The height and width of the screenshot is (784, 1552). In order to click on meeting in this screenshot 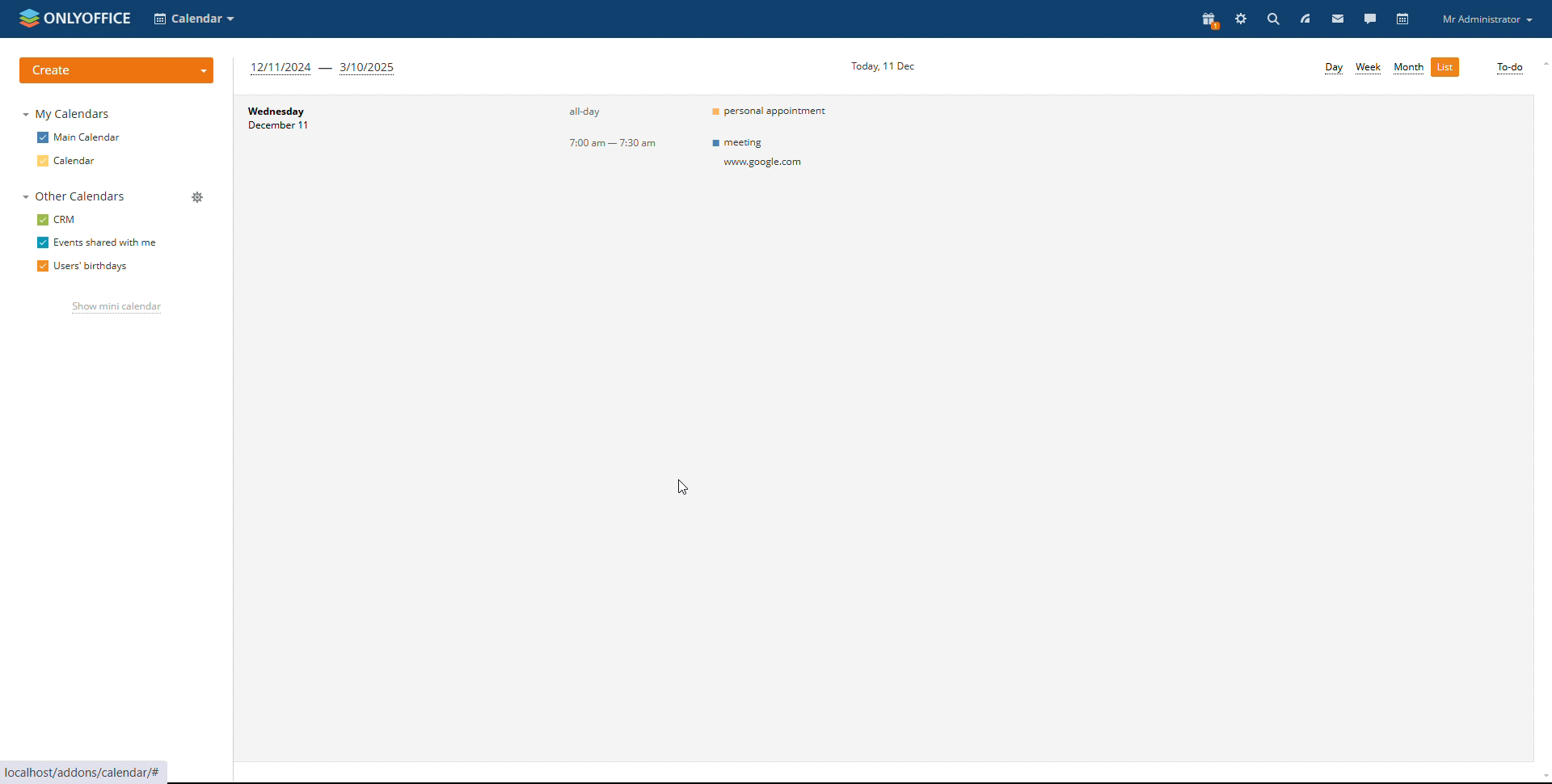, I will do `click(763, 153)`.